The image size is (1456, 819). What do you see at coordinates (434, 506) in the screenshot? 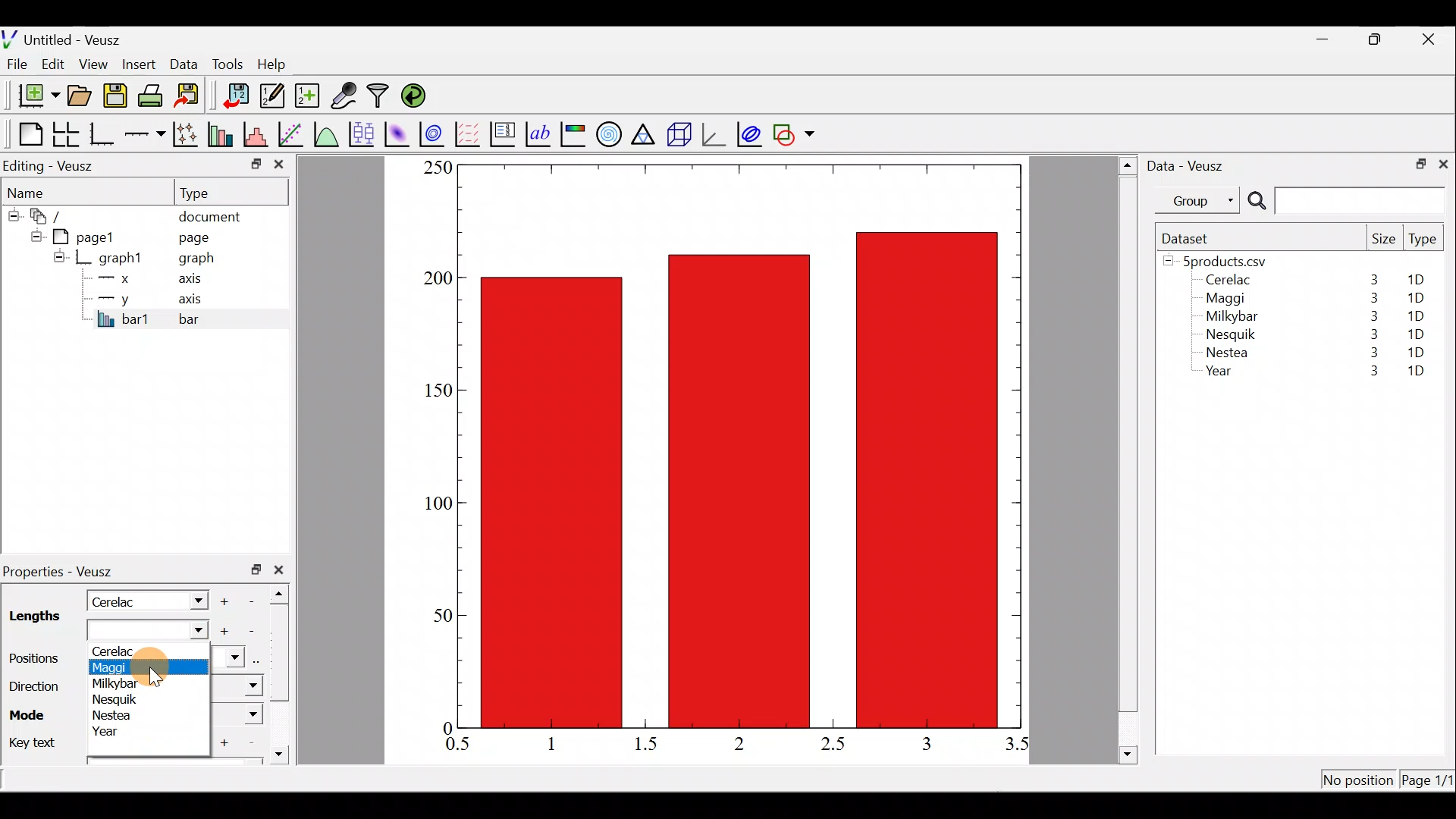
I see `100` at bounding box center [434, 506].